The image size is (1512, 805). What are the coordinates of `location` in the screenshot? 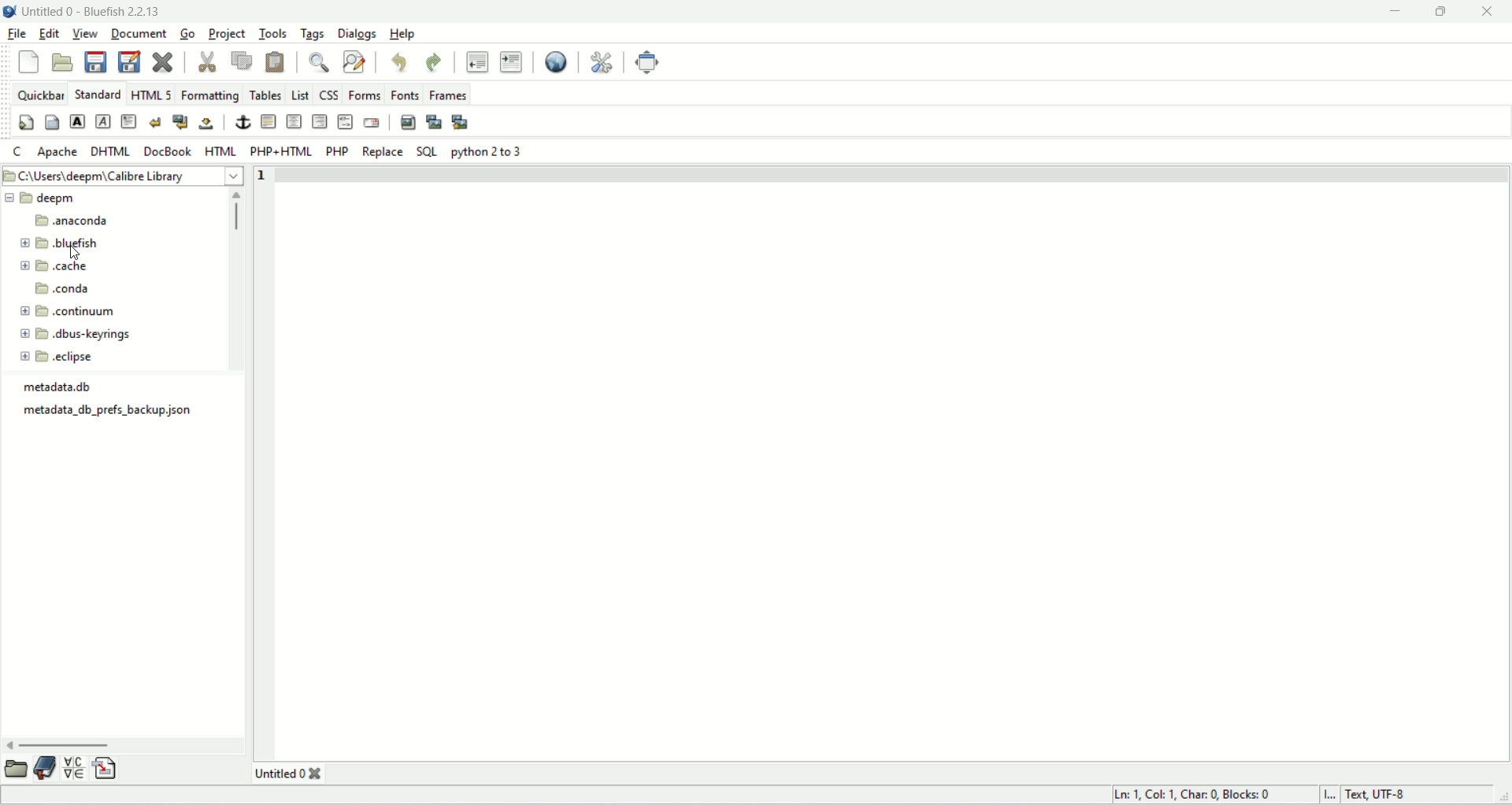 It's located at (126, 176).